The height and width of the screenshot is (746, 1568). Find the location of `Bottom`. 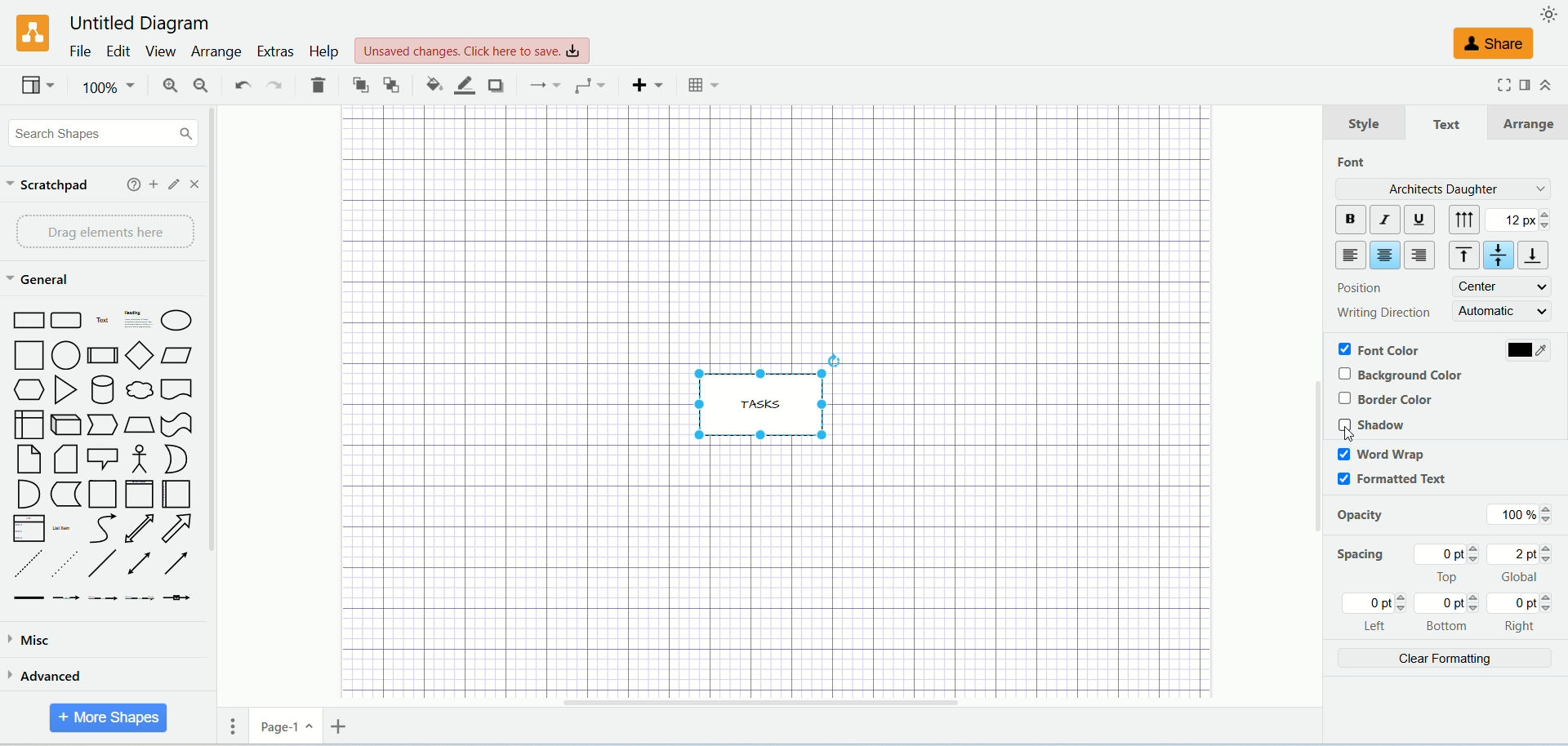

Bottom is located at coordinates (1449, 614).